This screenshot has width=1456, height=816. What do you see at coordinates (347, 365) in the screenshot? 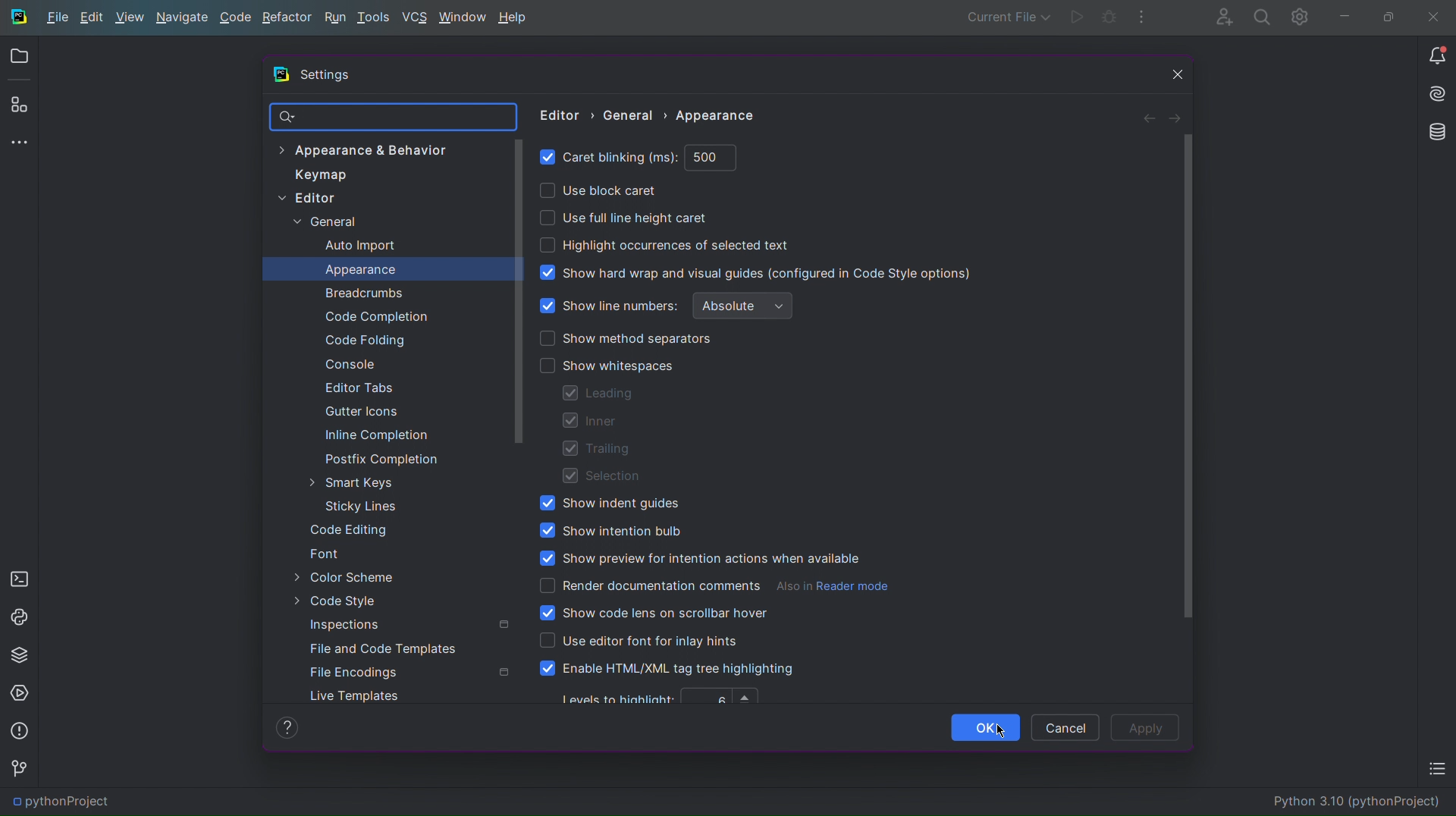
I see `Console` at bounding box center [347, 365].